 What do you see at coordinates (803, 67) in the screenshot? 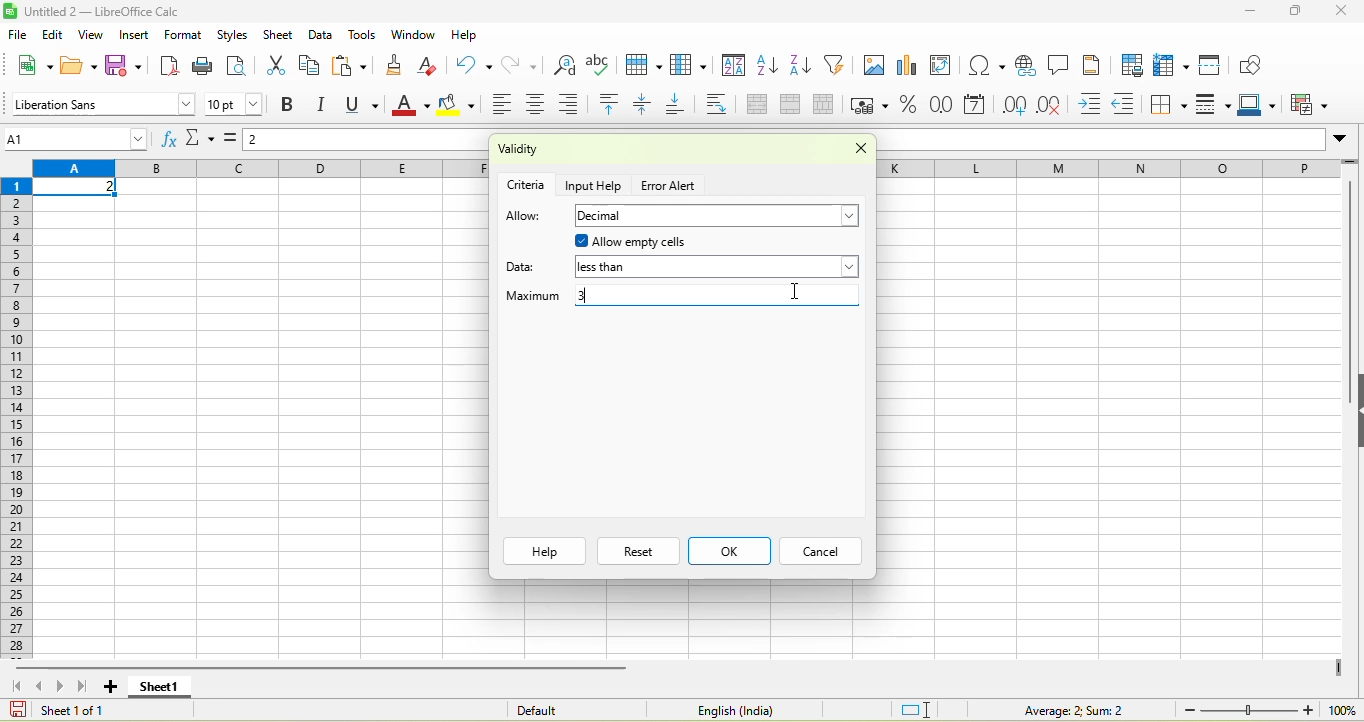
I see `sort descending` at bounding box center [803, 67].